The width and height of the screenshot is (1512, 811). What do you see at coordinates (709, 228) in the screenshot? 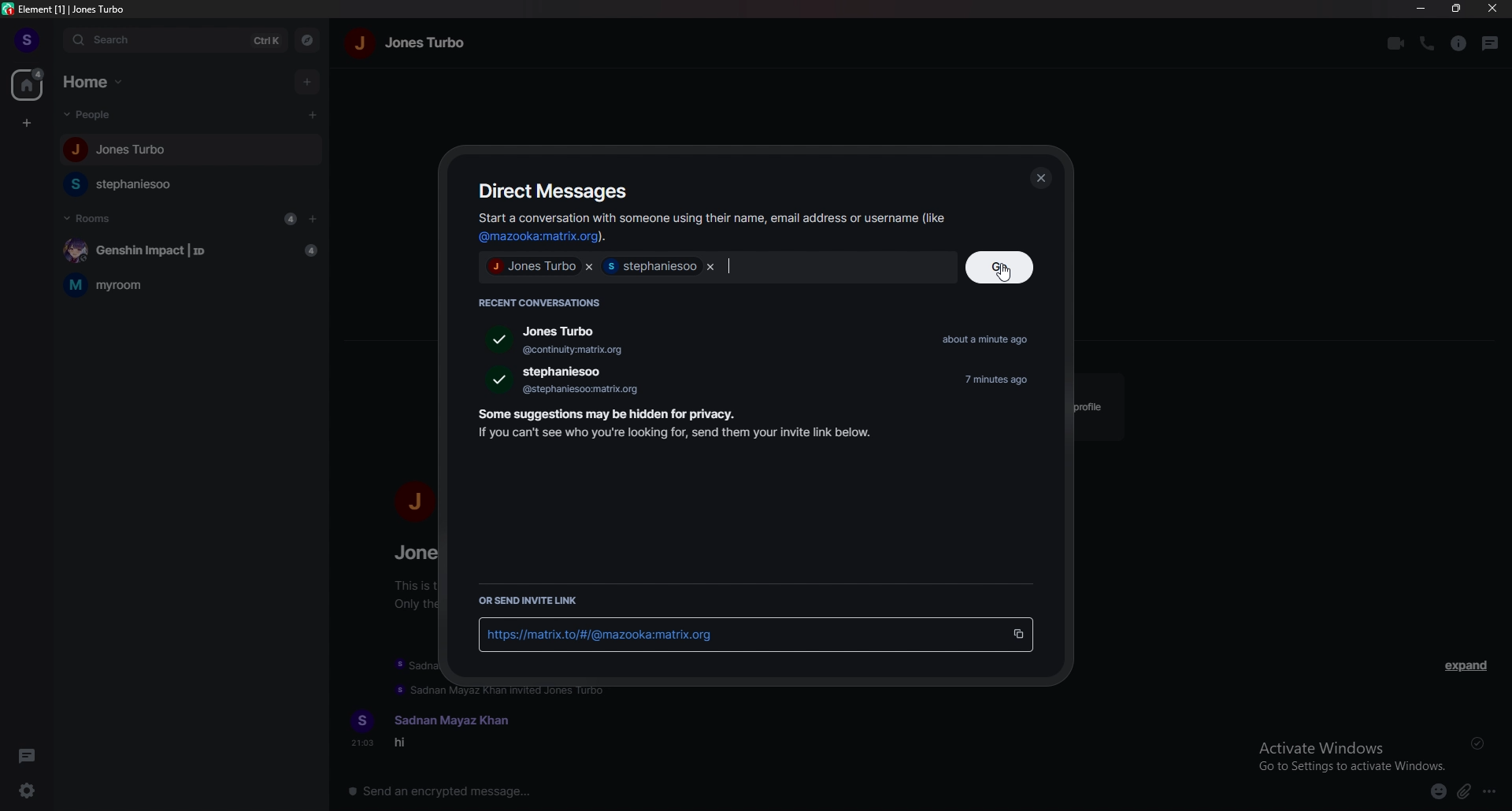
I see `Start a conversation with someone using their name, email address or username (like @mazooka:matrix.org).` at bounding box center [709, 228].